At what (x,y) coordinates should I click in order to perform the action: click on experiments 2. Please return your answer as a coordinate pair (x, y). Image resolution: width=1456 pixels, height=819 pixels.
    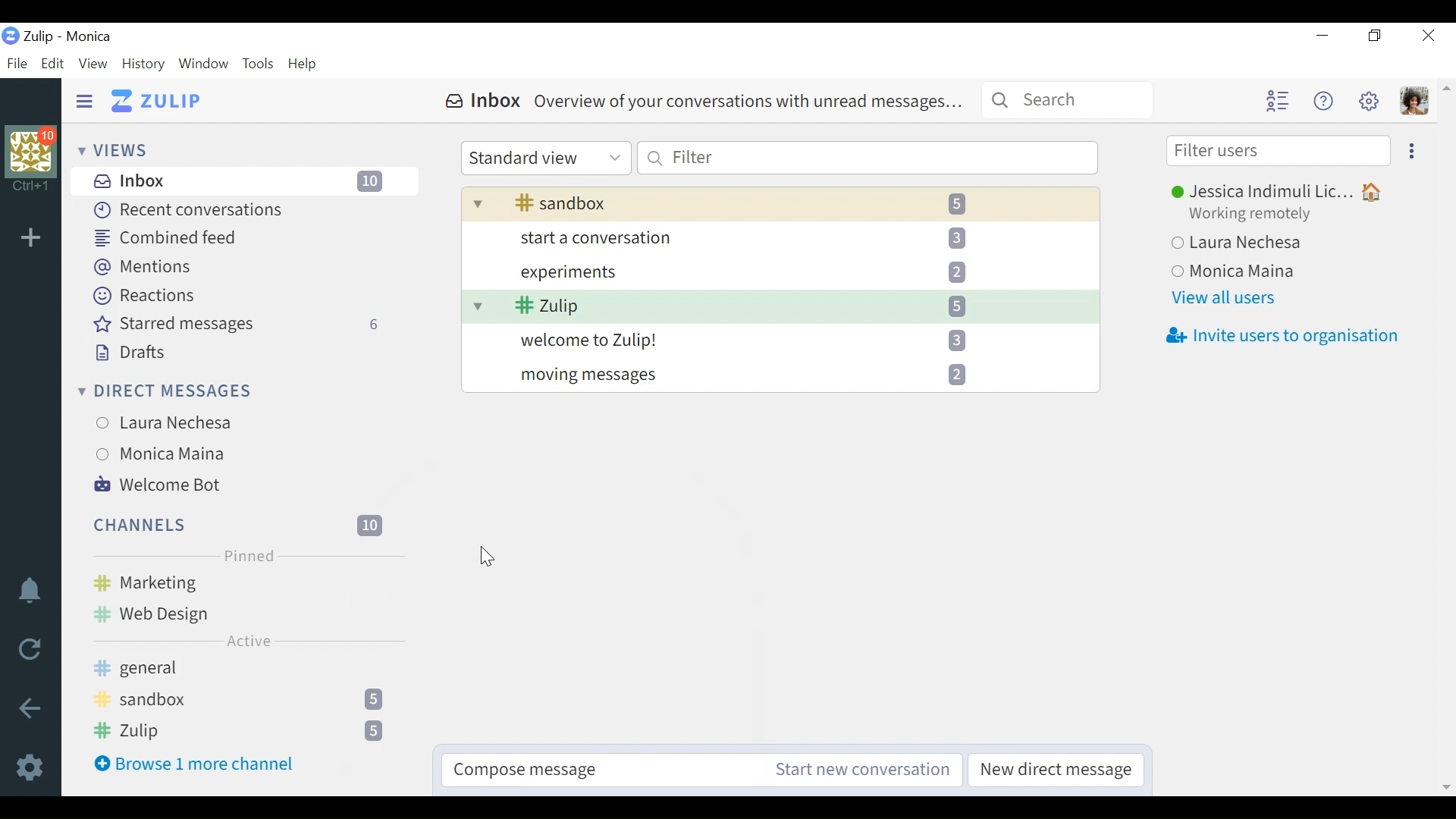
    Looking at the image, I should click on (780, 270).